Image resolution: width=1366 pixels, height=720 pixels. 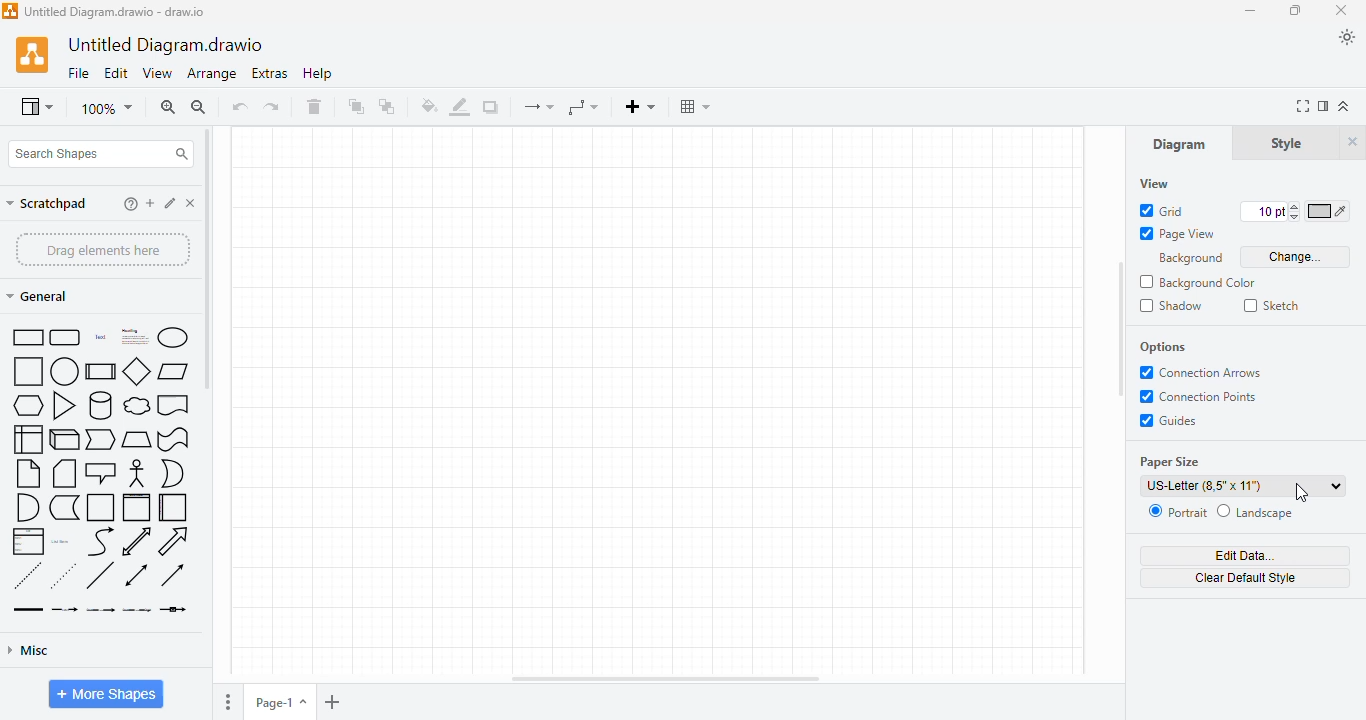 What do you see at coordinates (1178, 234) in the screenshot?
I see `page view` at bounding box center [1178, 234].